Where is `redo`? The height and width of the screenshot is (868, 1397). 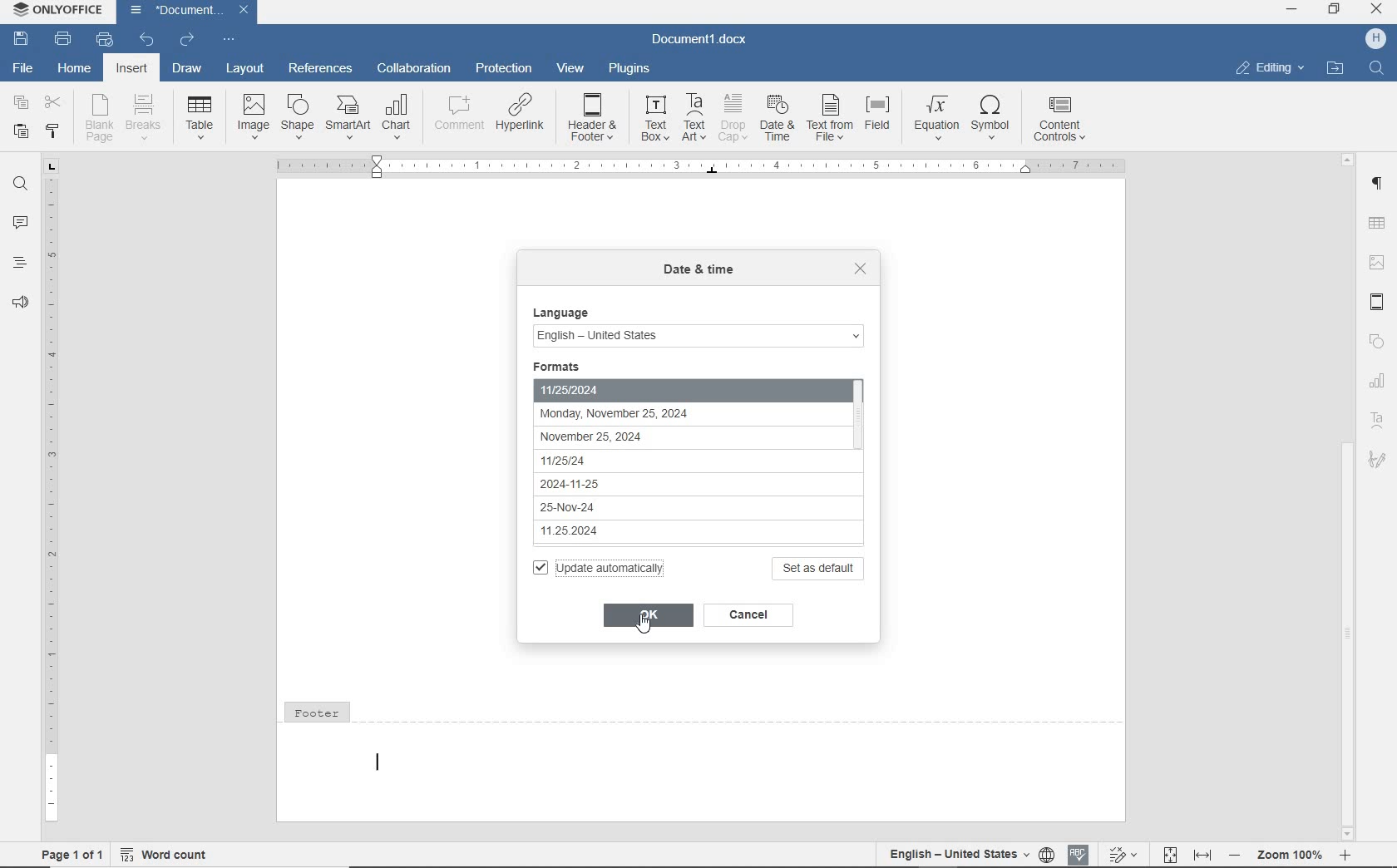 redo is located at coordinates (188, 40).